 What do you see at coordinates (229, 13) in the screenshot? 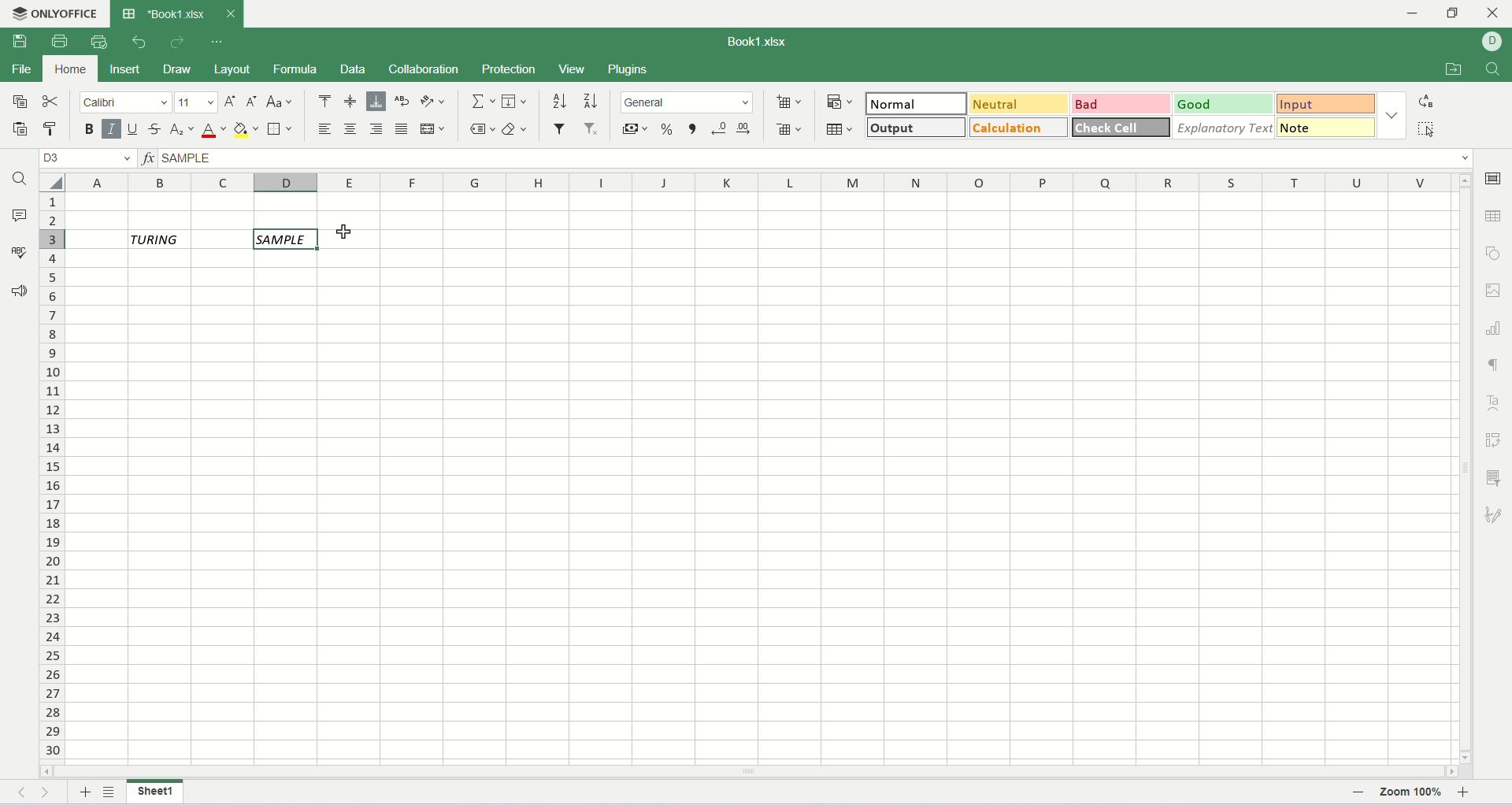
I see `close` at bounding box center [229, 13].